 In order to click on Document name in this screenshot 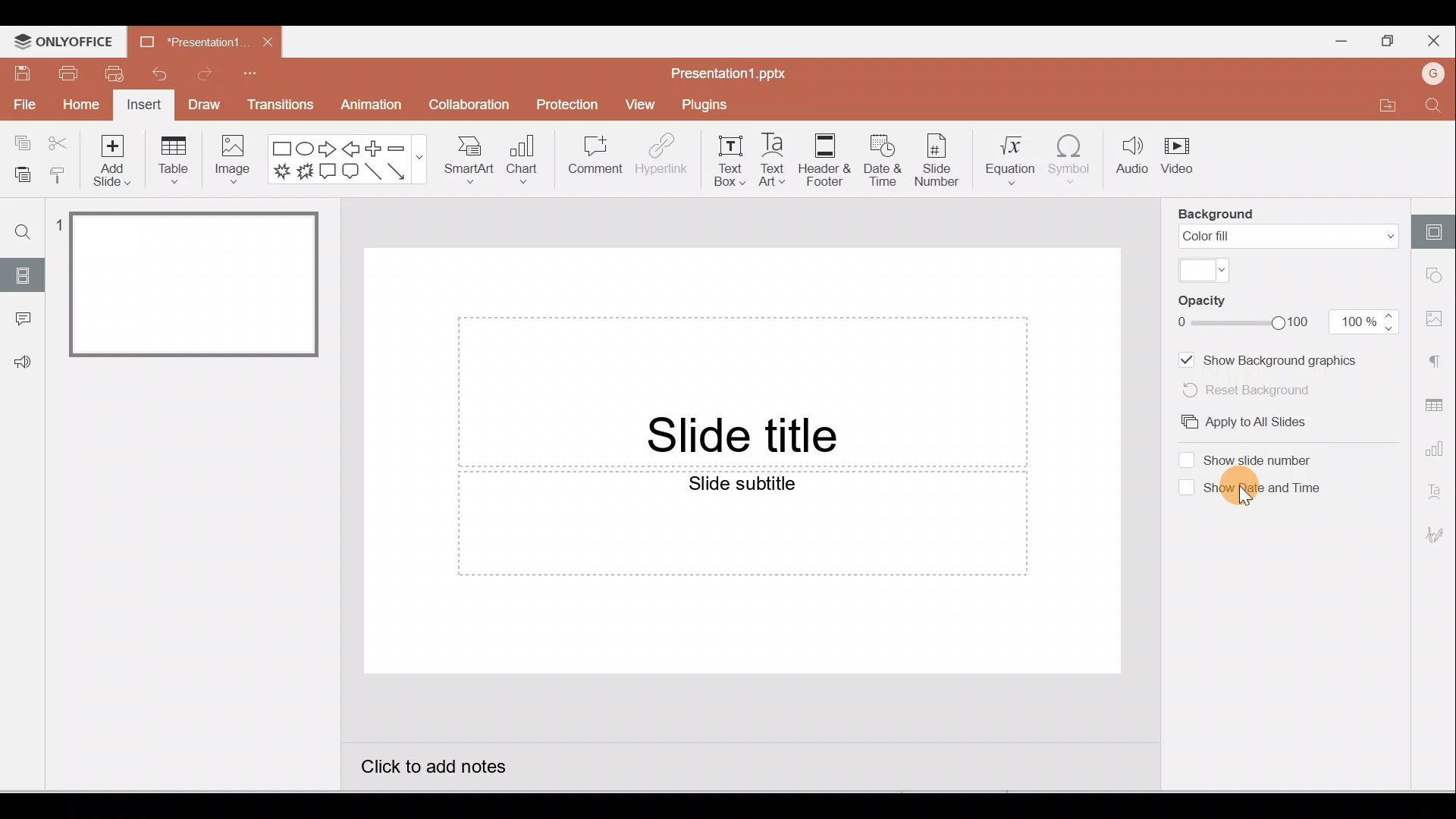, I will do `click(729, 70)`.